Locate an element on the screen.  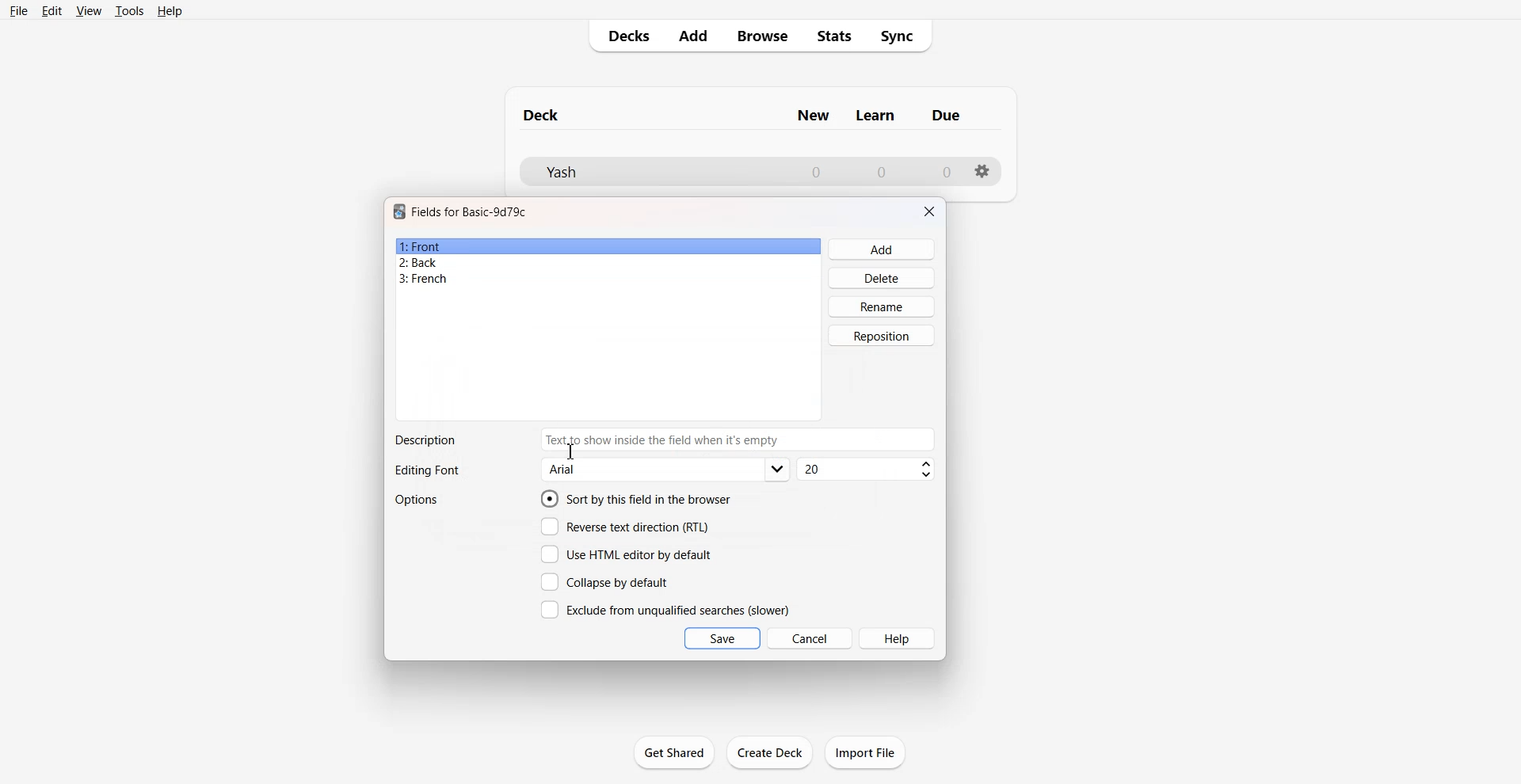
Column name is located at coordinates (813, 116).